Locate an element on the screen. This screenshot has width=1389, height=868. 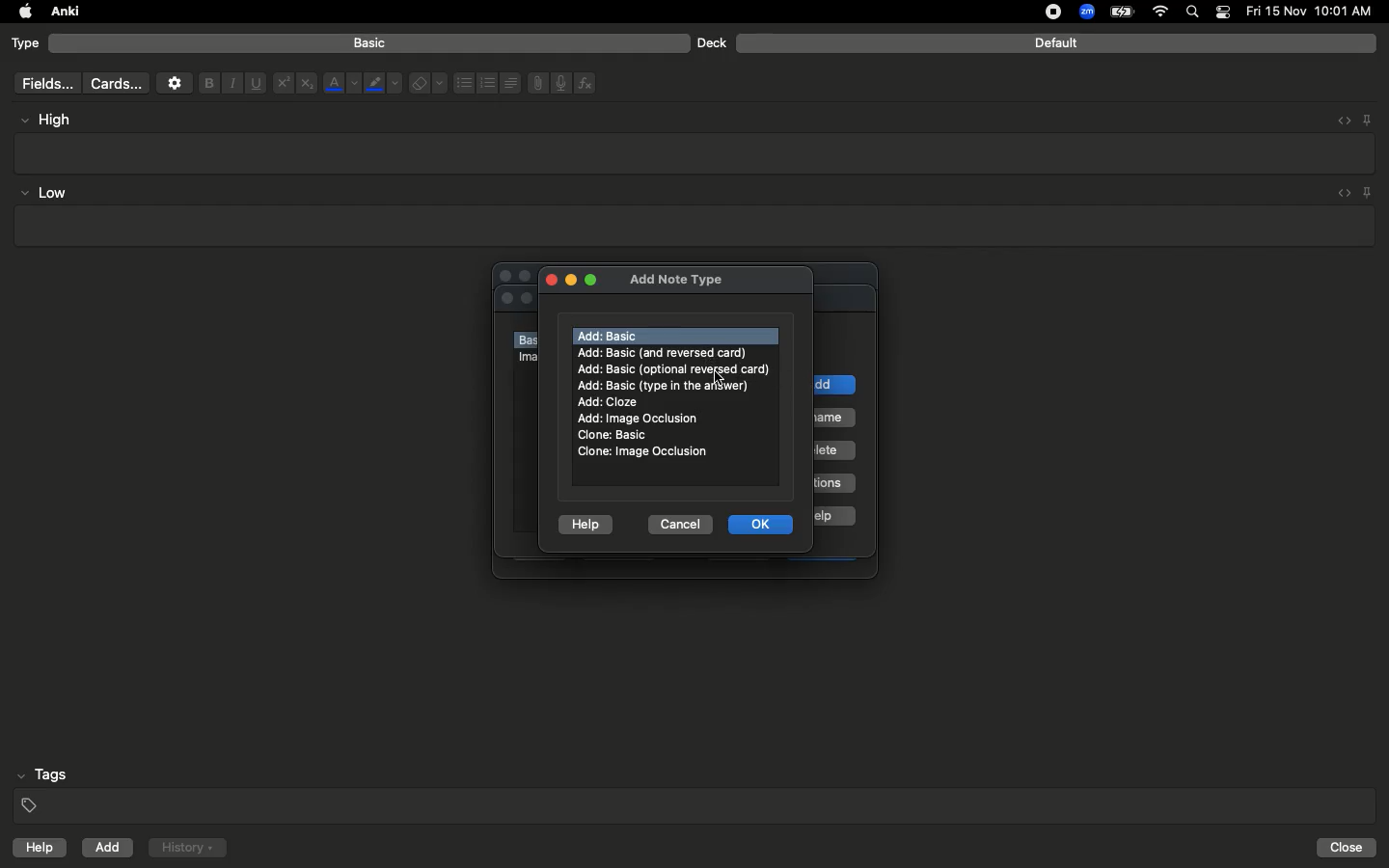
Zoom is located at coordinates (1085, 13).